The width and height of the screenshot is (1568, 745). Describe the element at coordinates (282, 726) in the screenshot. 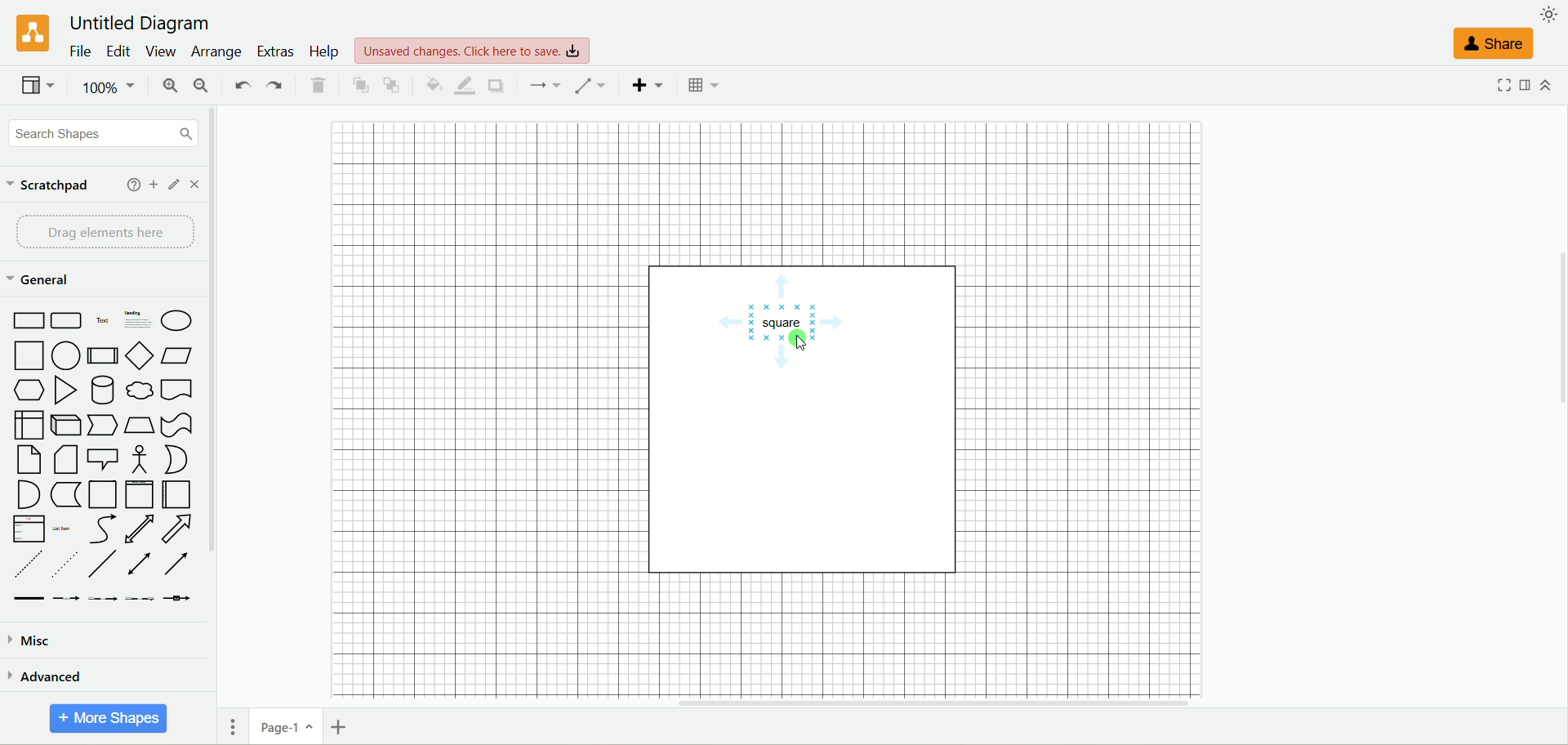

I see `page-1` at that location.